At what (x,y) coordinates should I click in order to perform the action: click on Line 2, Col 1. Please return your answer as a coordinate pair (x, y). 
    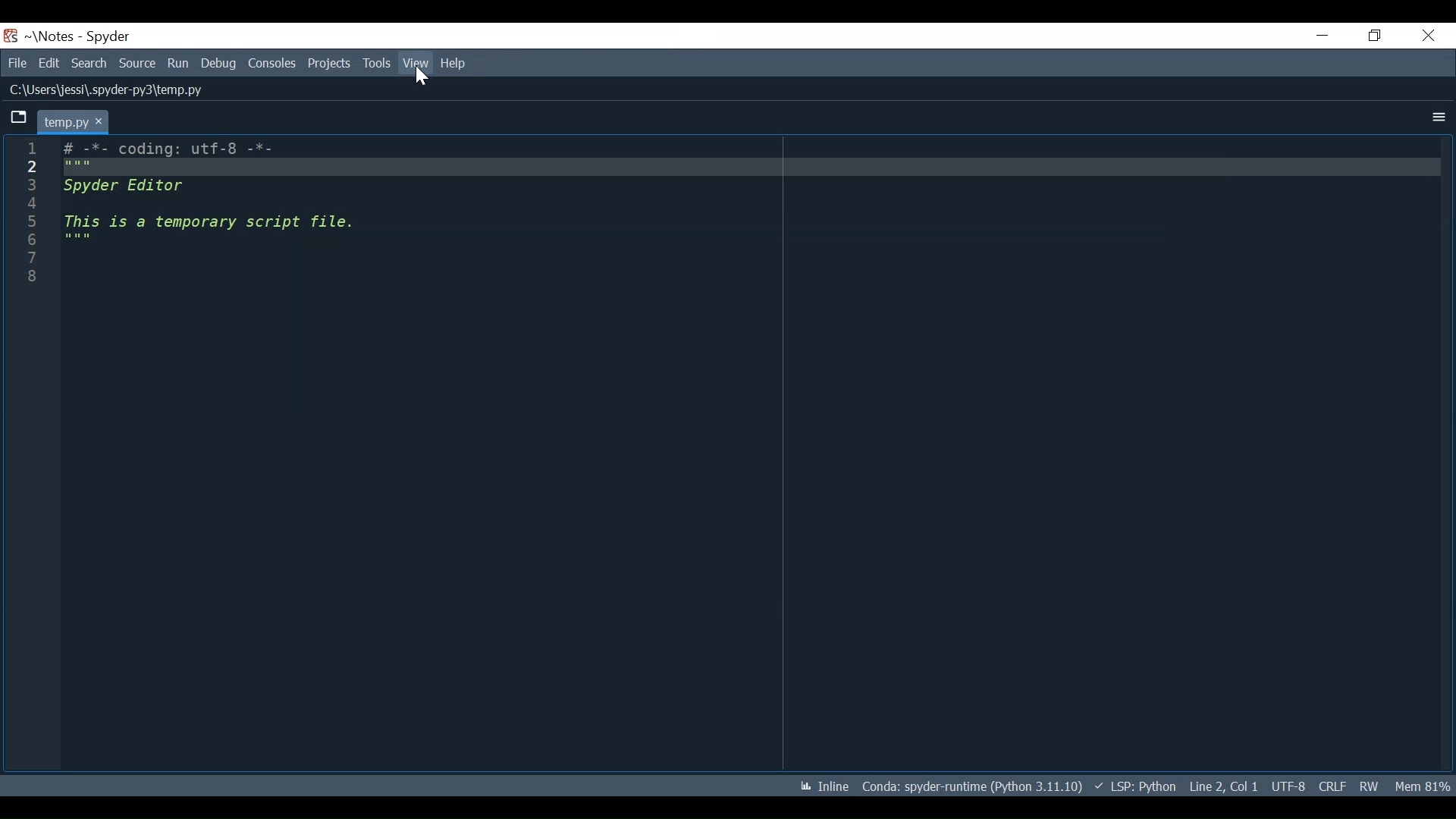
    Looking at the image, I should click on (1224, 786).